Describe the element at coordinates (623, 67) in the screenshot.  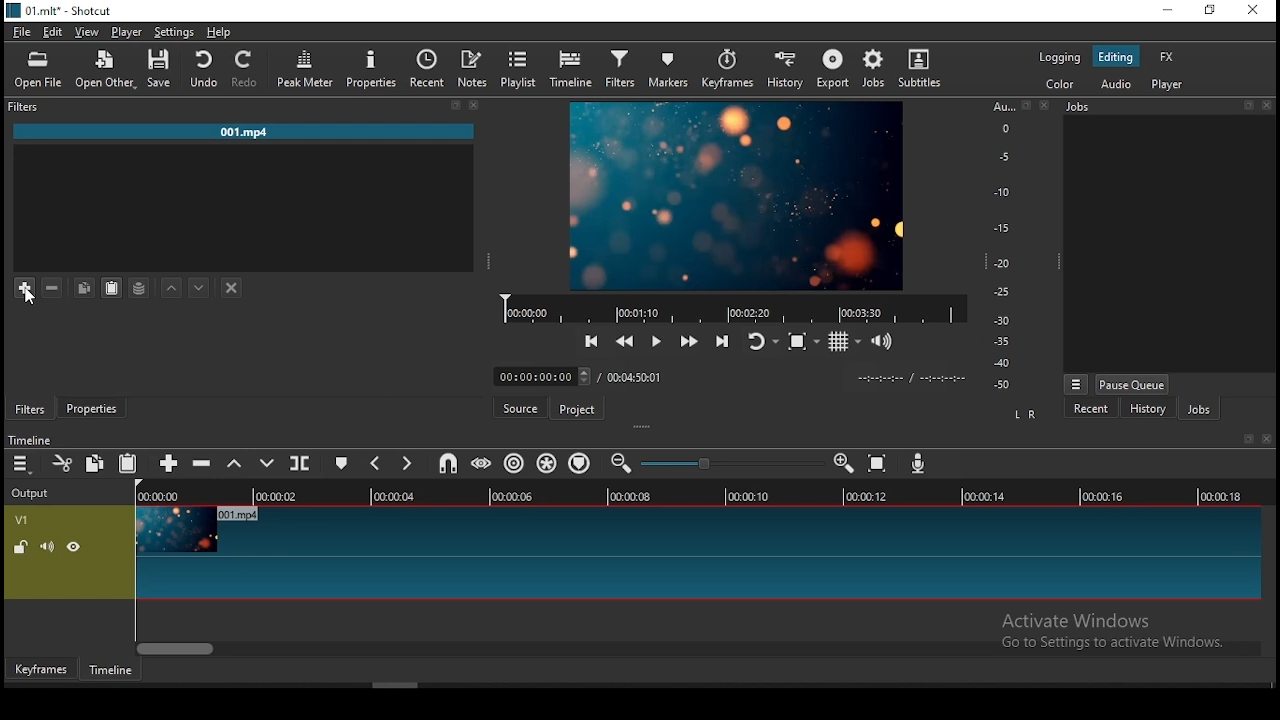
I see `filters` at that location.